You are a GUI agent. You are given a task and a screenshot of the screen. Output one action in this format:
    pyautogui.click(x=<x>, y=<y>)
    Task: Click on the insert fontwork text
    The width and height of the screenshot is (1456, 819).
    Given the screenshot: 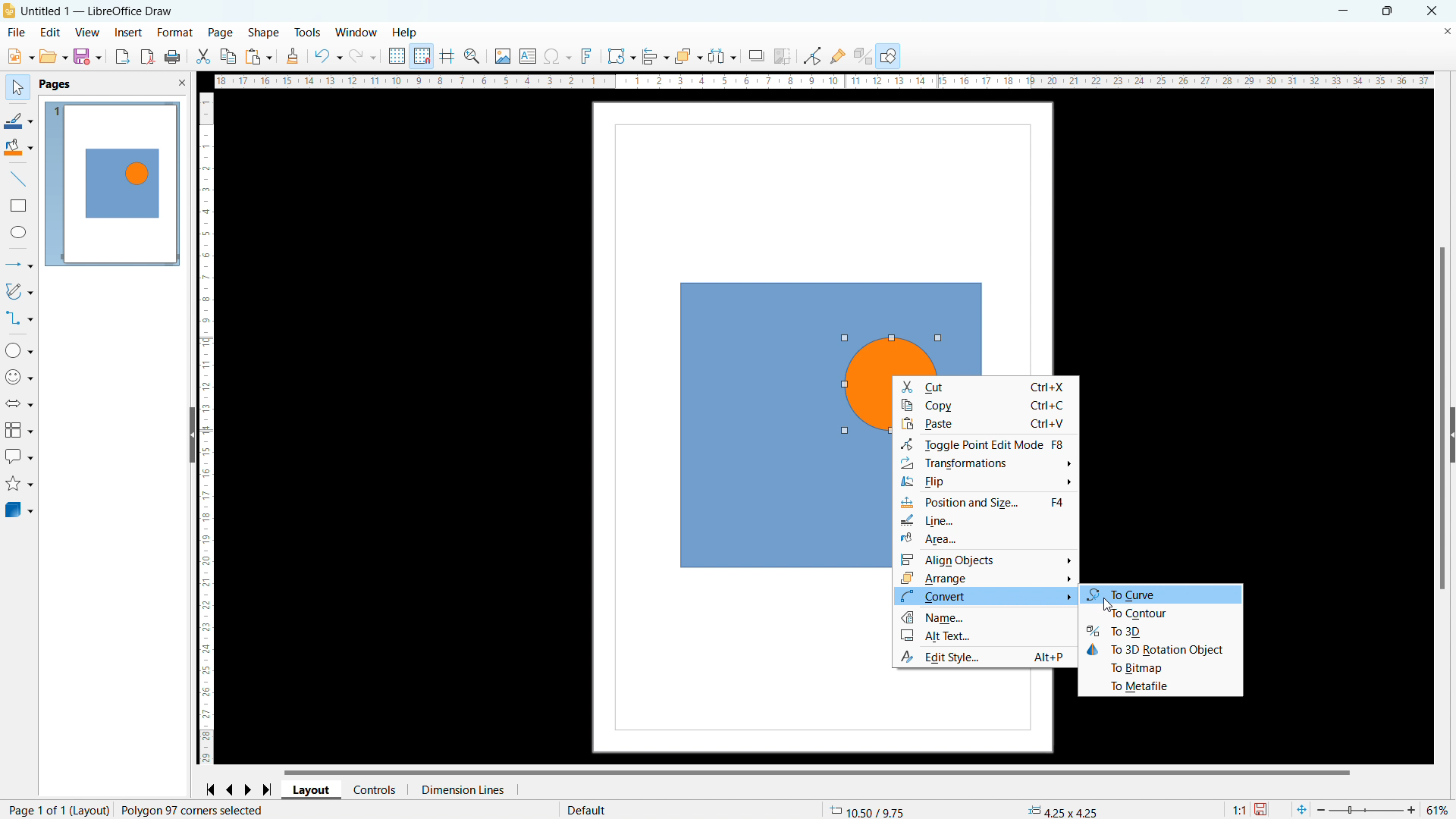 What is the action you would take?
    pyautogui.click(x=587, y=56)
    